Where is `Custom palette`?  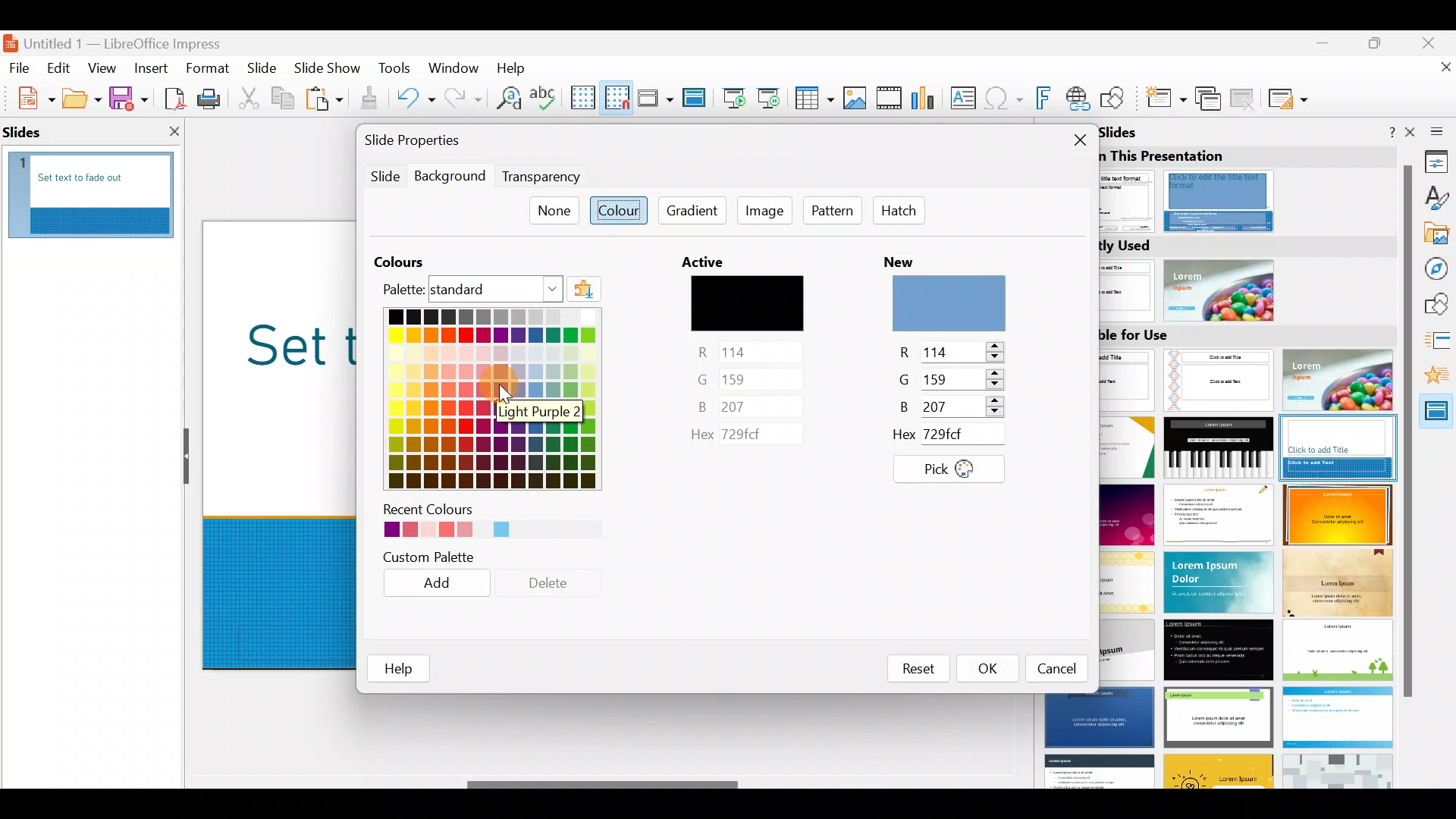
Custom palette is located at coordinates (437, 557).